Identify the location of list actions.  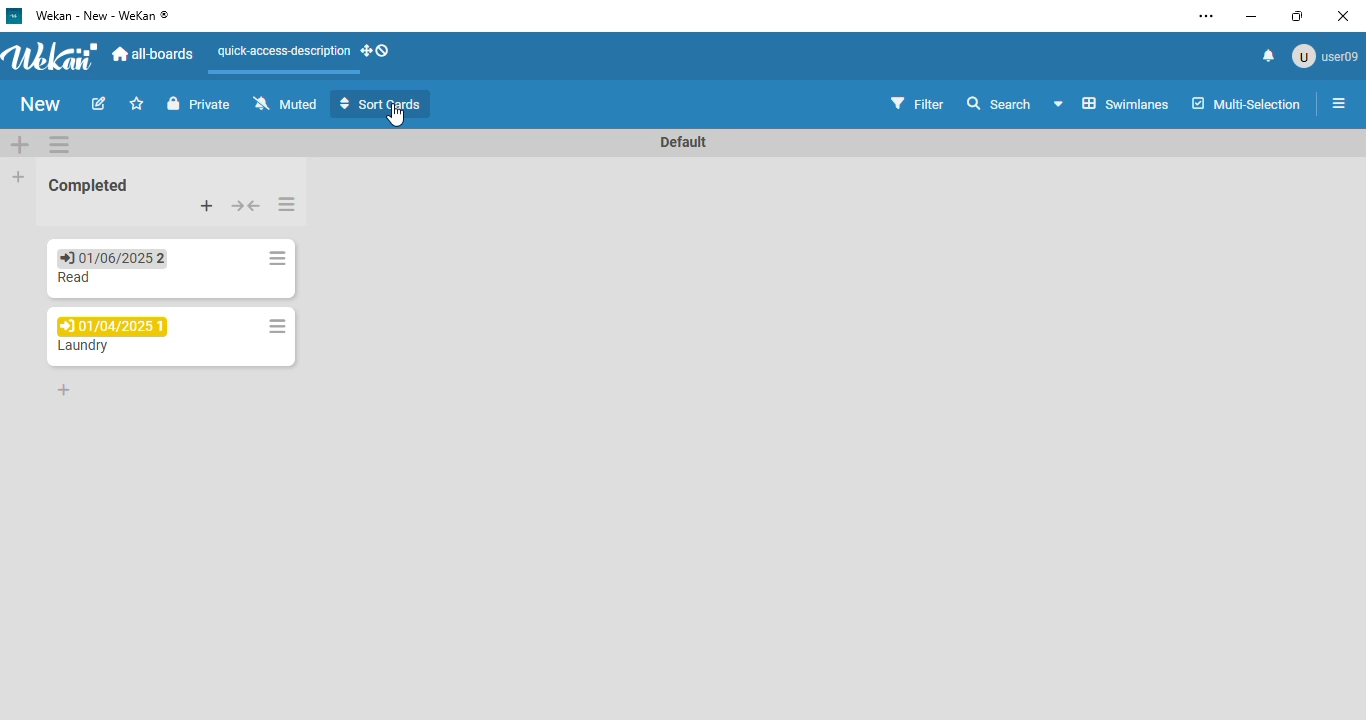
(273, 326).